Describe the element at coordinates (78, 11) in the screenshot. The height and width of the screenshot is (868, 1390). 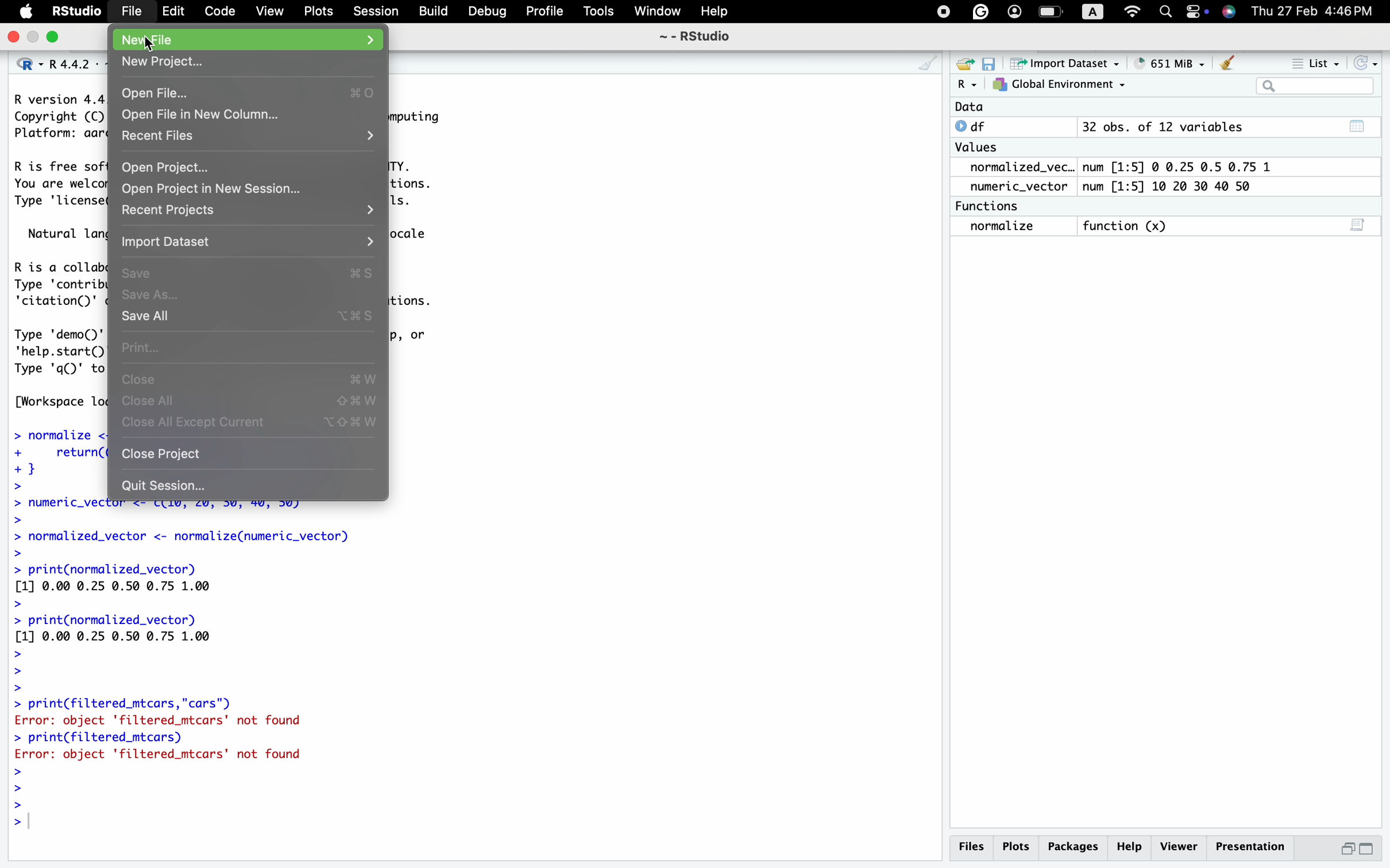
I see `RStudio` at that location.